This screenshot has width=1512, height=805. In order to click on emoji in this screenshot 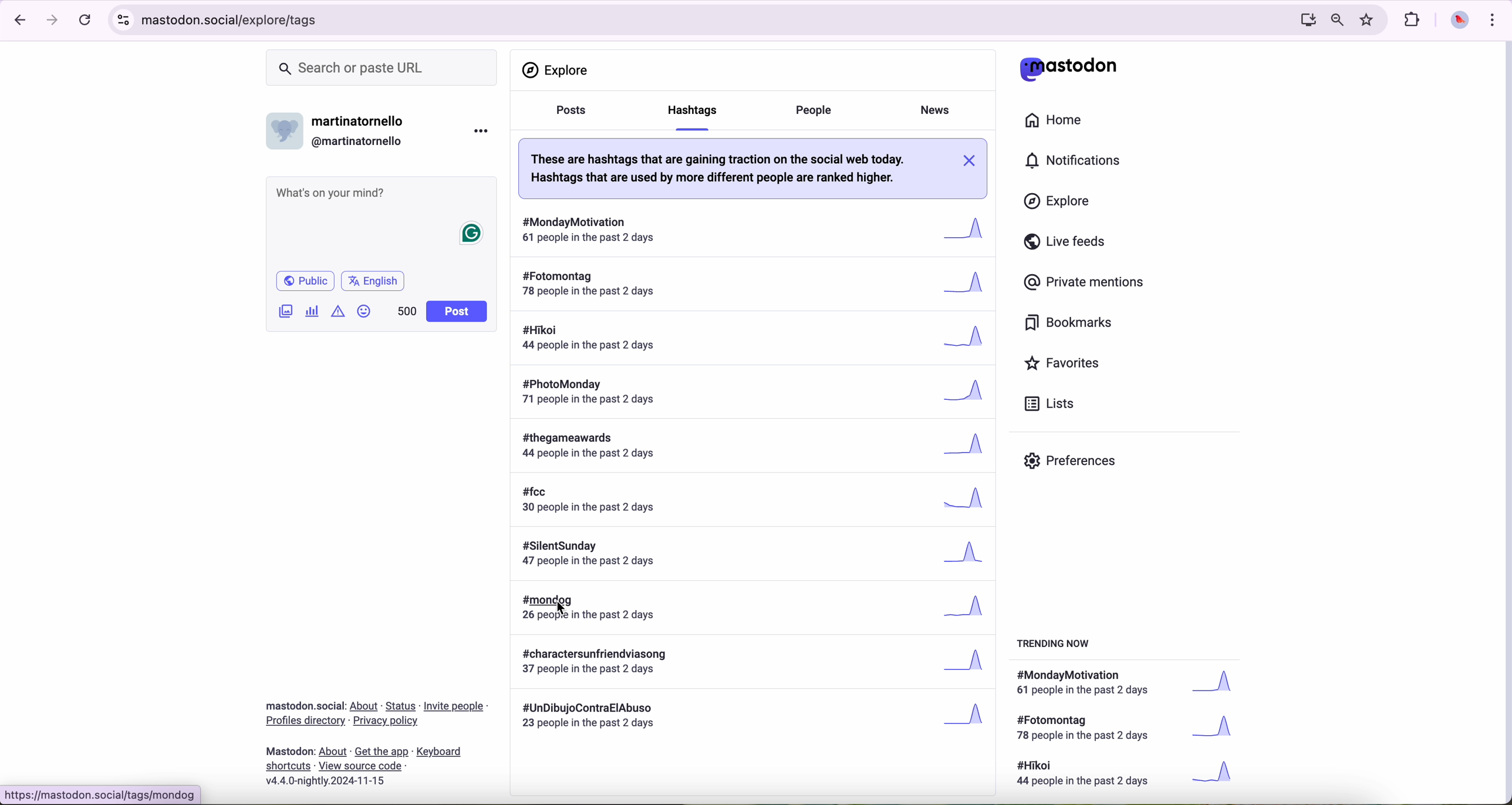, I will do `click(365, 313)`.